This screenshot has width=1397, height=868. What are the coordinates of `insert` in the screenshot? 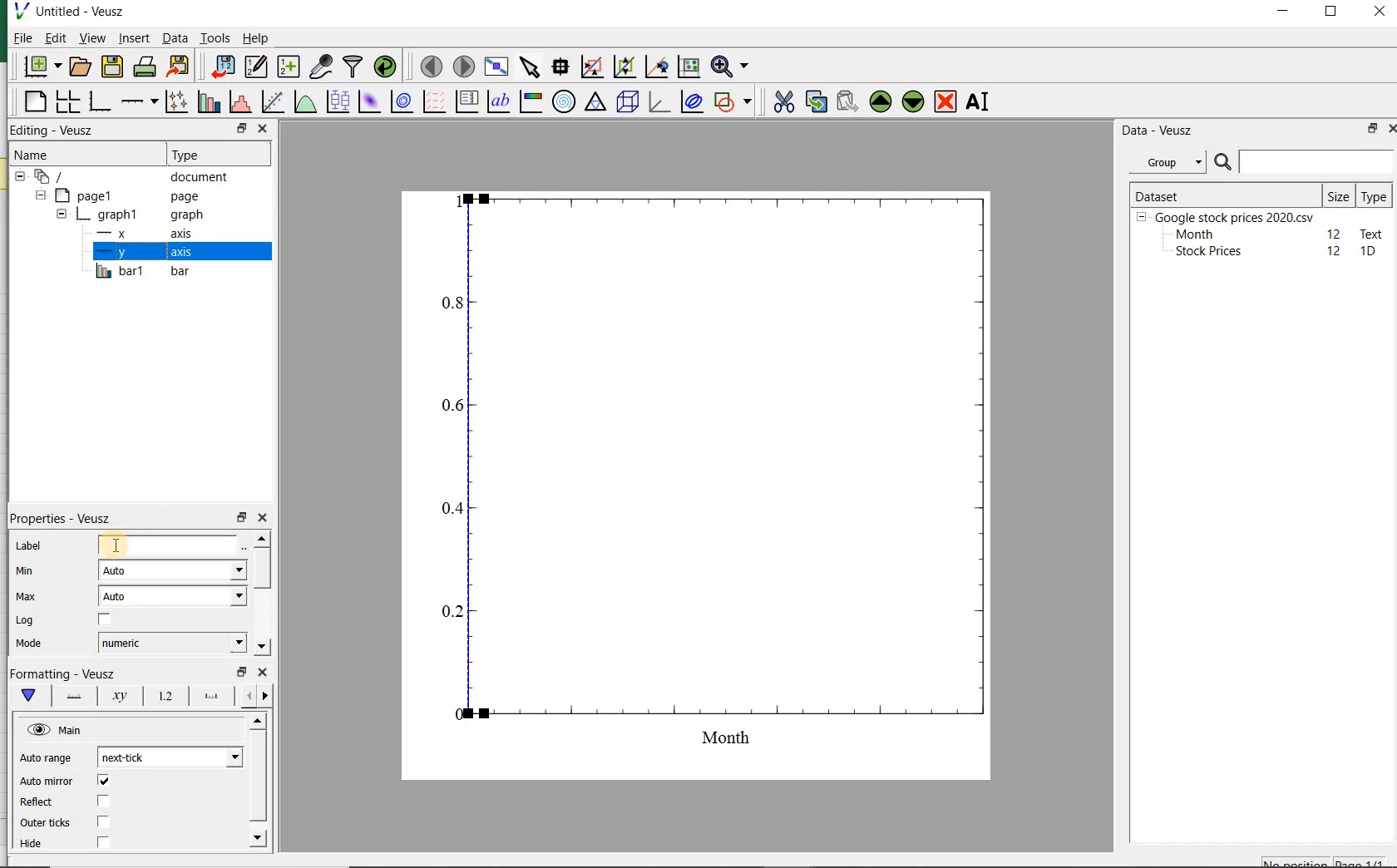 It's located at (134, 39).